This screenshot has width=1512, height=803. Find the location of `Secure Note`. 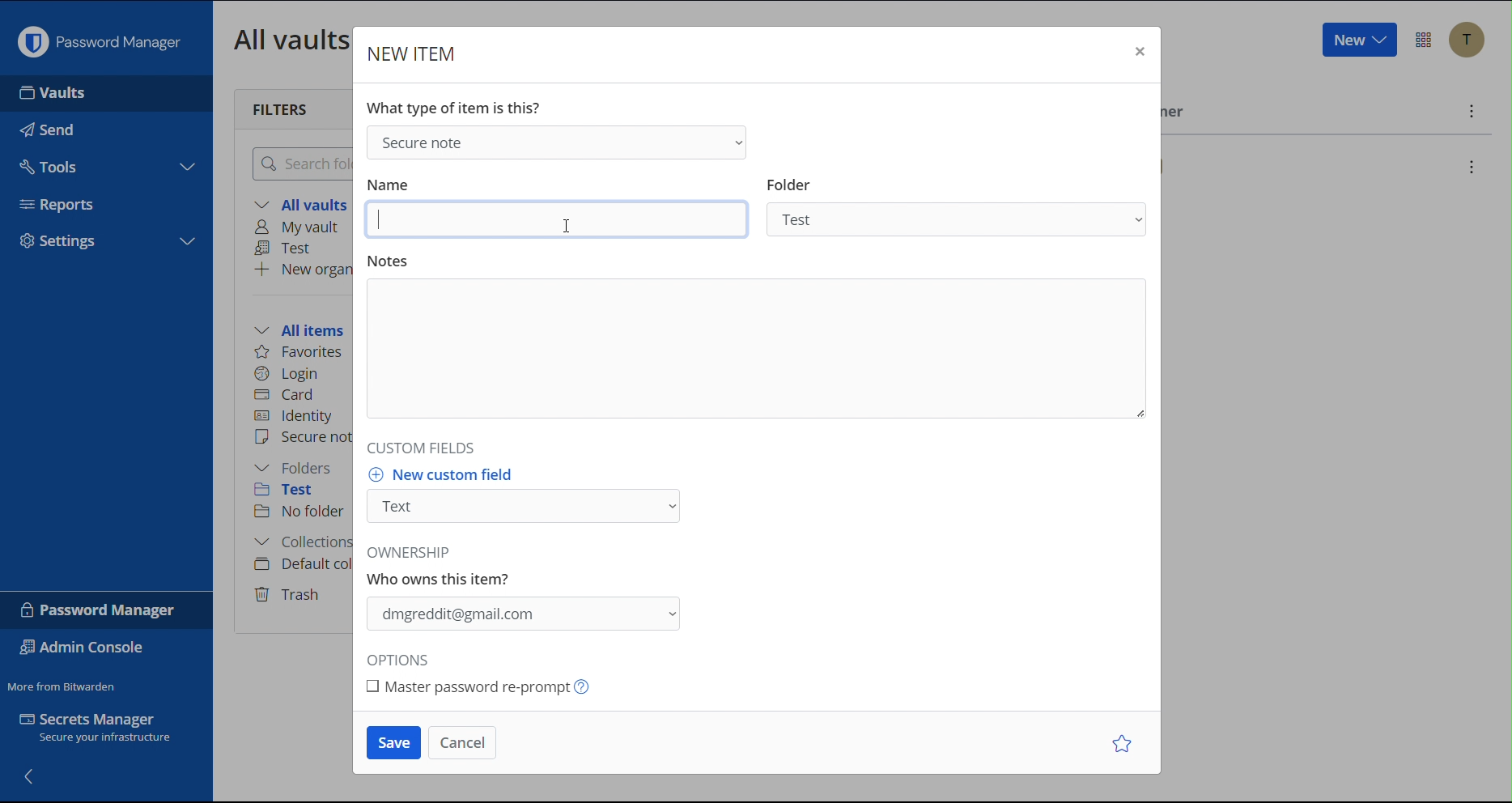

Secure Note is located at coordinates (554, 141).